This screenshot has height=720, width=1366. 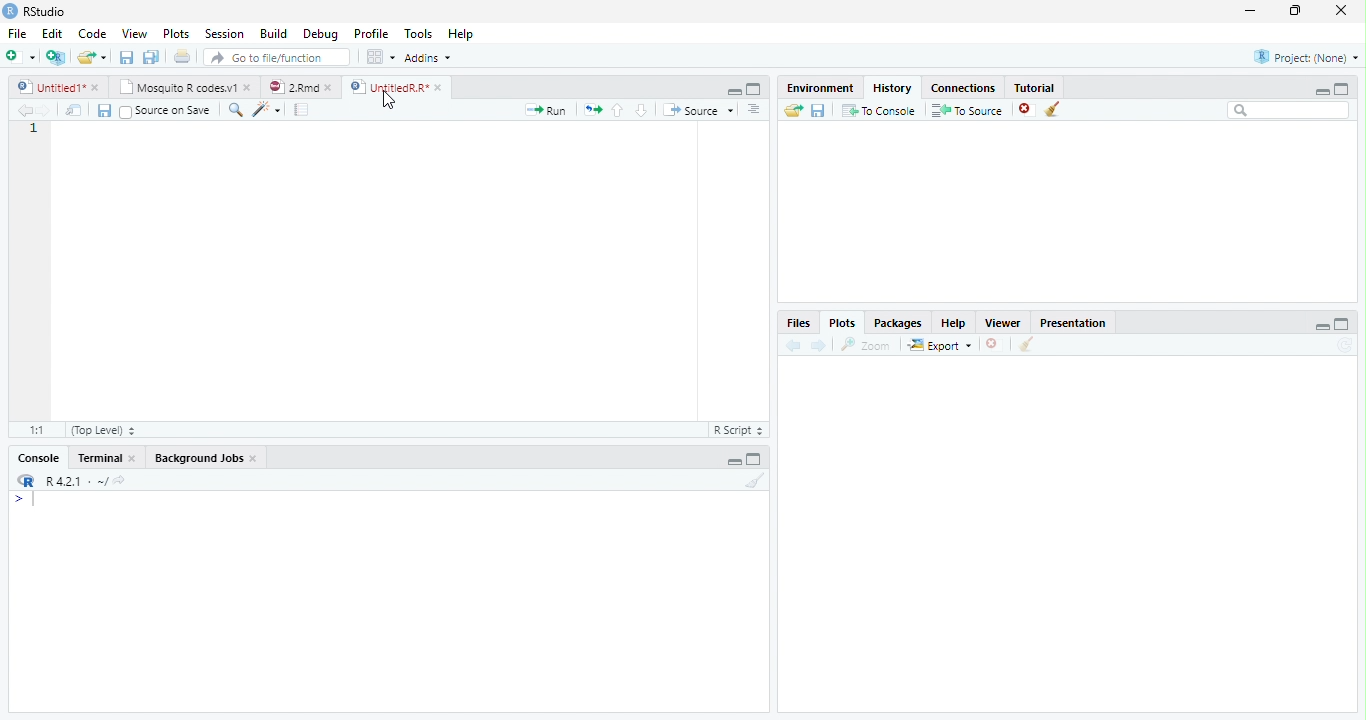 What do you see at coordinates (1296, 13) in the screenshot?
I see `Maximize` at bounding box center [1296, 13].